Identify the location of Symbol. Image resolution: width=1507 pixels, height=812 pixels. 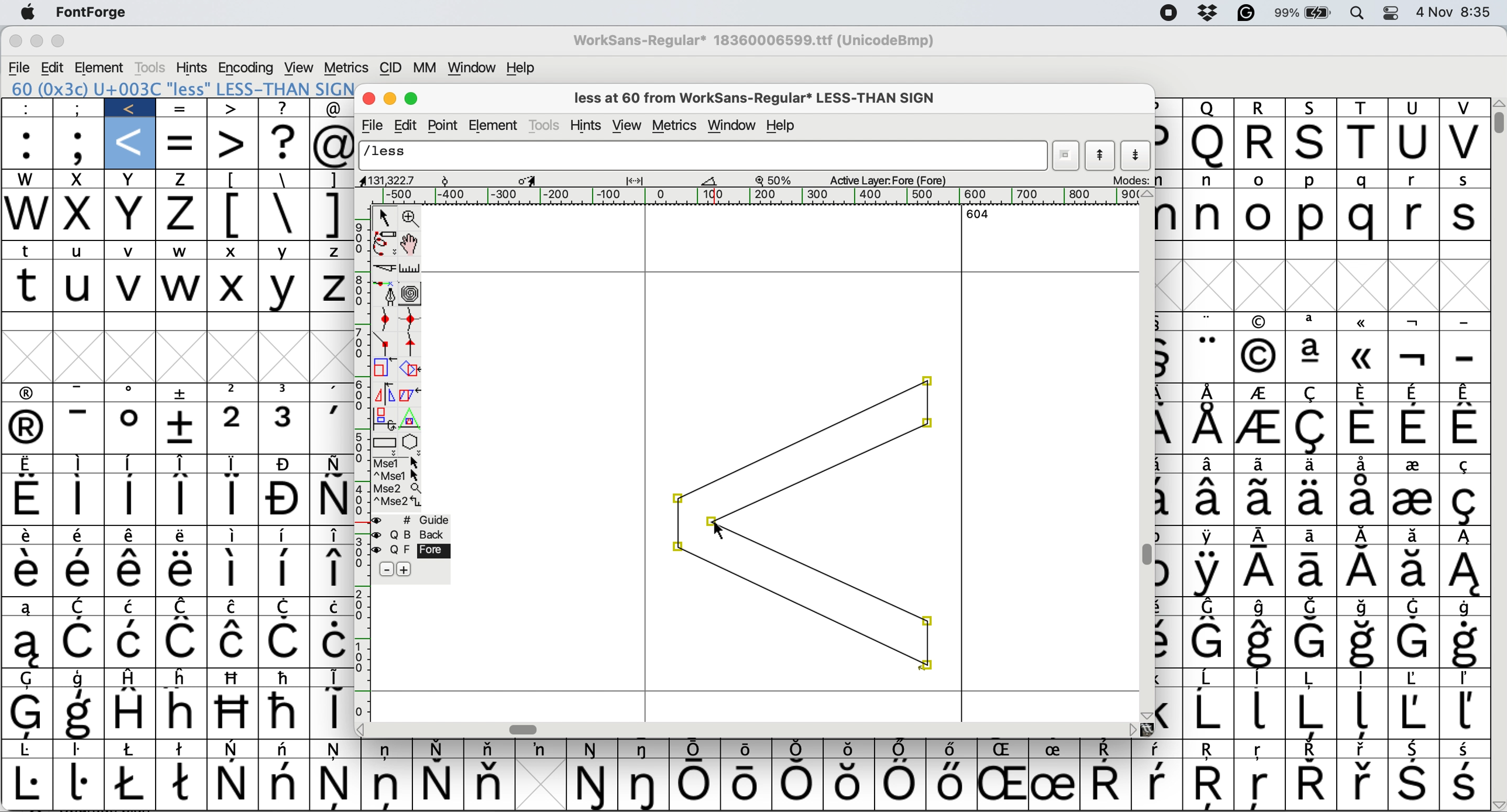
(29, 784).